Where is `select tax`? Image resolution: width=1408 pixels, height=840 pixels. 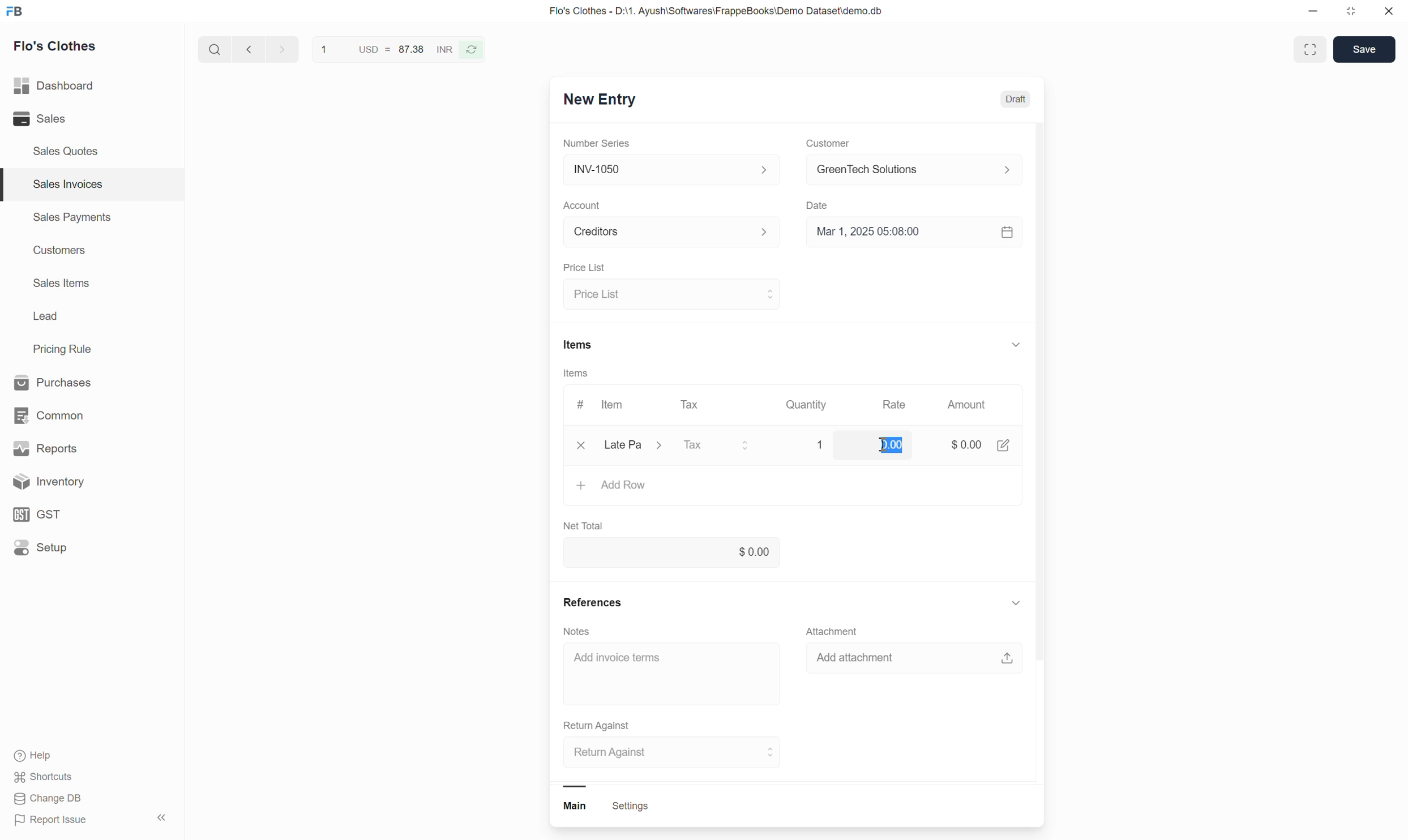
select tax is located at coordinates (718, 444).